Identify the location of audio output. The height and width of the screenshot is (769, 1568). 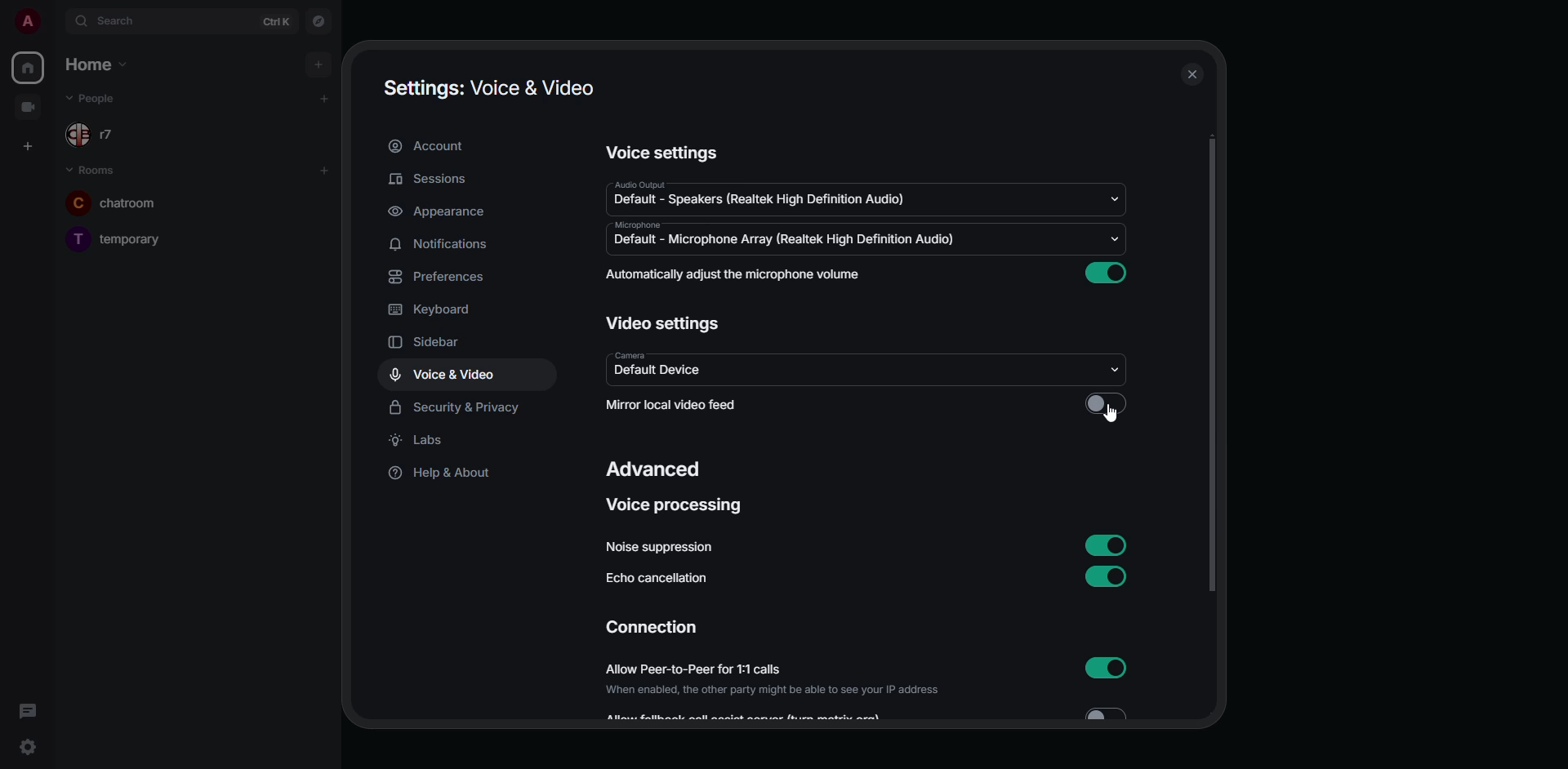
(635, 182).